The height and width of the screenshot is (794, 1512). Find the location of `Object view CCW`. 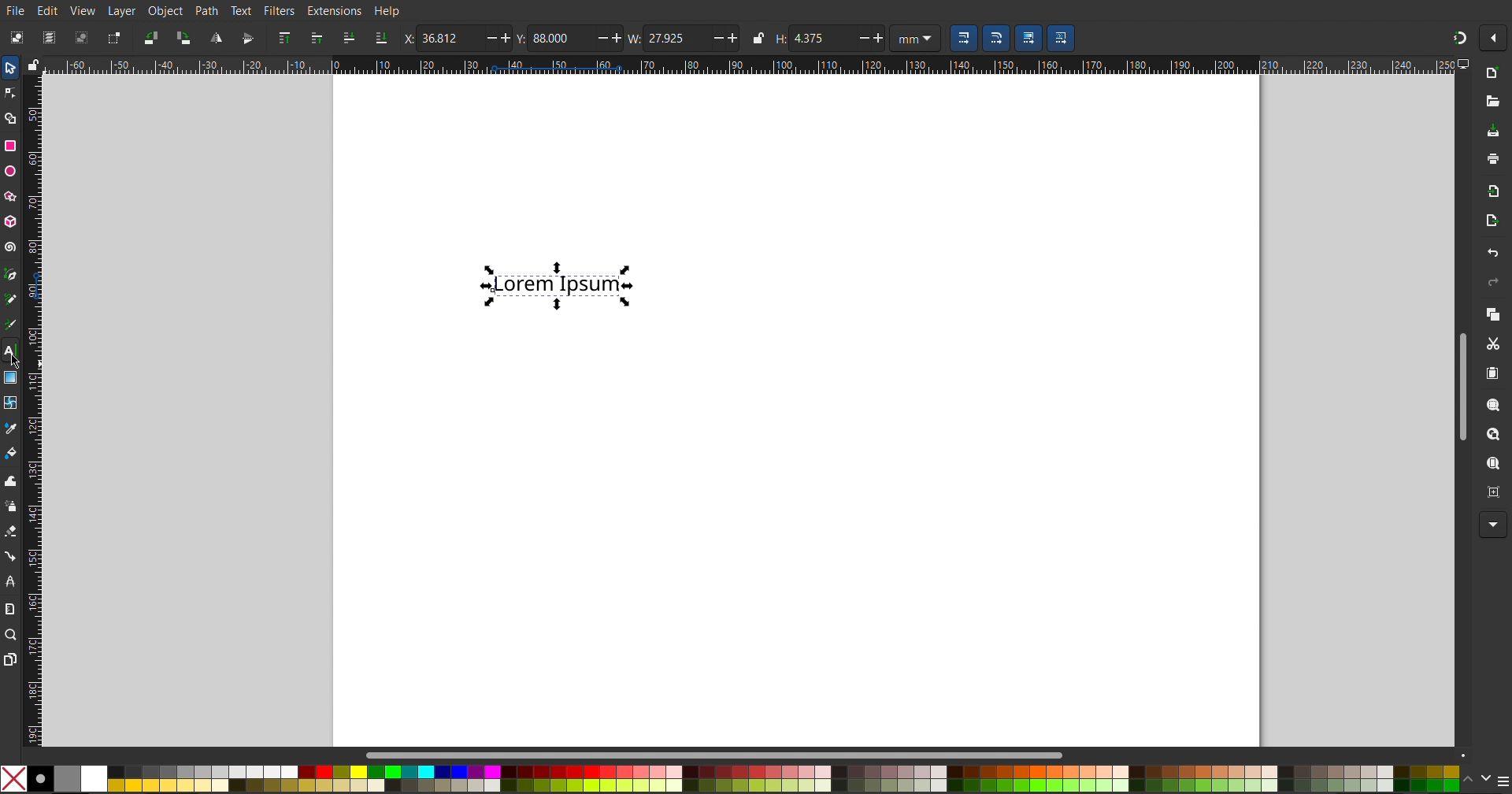

Object view CCW is located at coordinates (151, 38).